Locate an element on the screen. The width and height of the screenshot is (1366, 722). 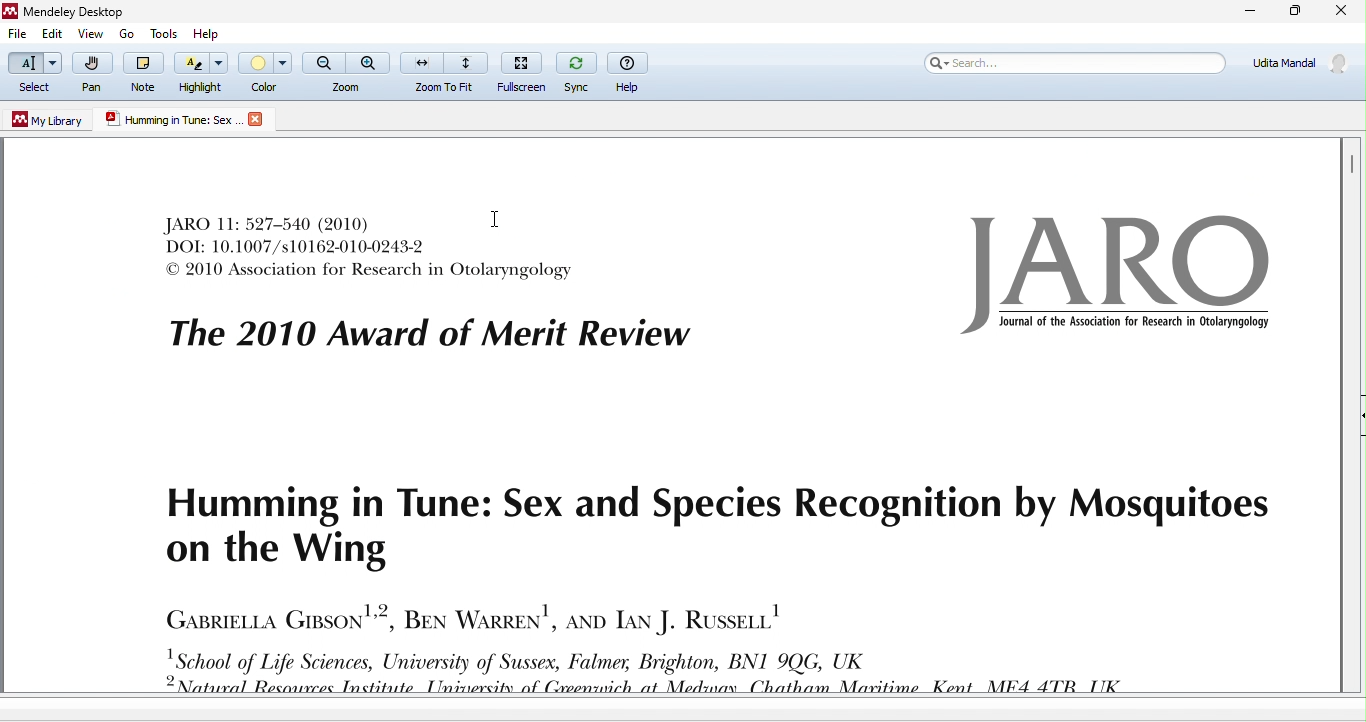
sync is located at coordinates (578, 72).